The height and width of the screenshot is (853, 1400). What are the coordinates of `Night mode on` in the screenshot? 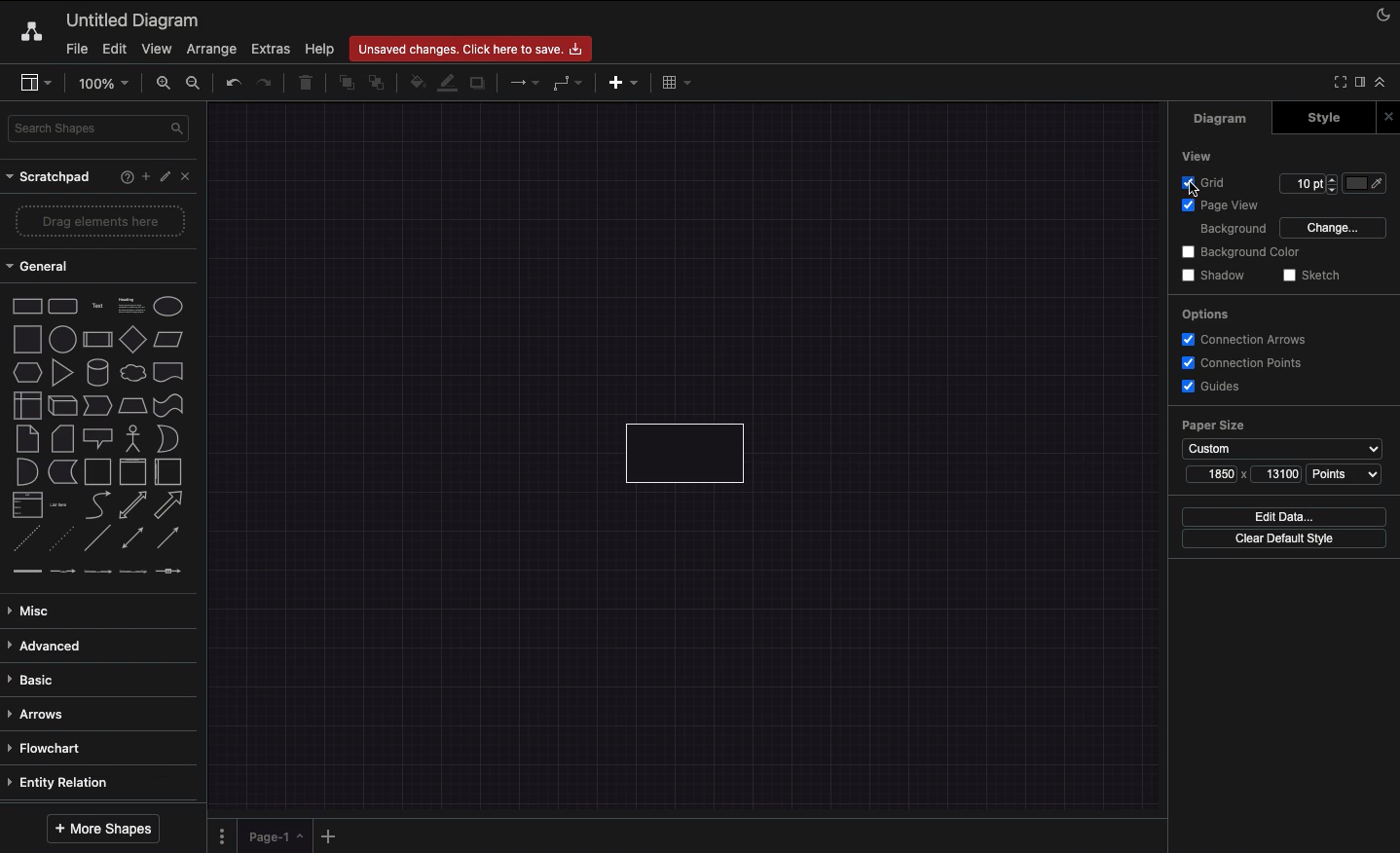 It's located at (1378, 16).